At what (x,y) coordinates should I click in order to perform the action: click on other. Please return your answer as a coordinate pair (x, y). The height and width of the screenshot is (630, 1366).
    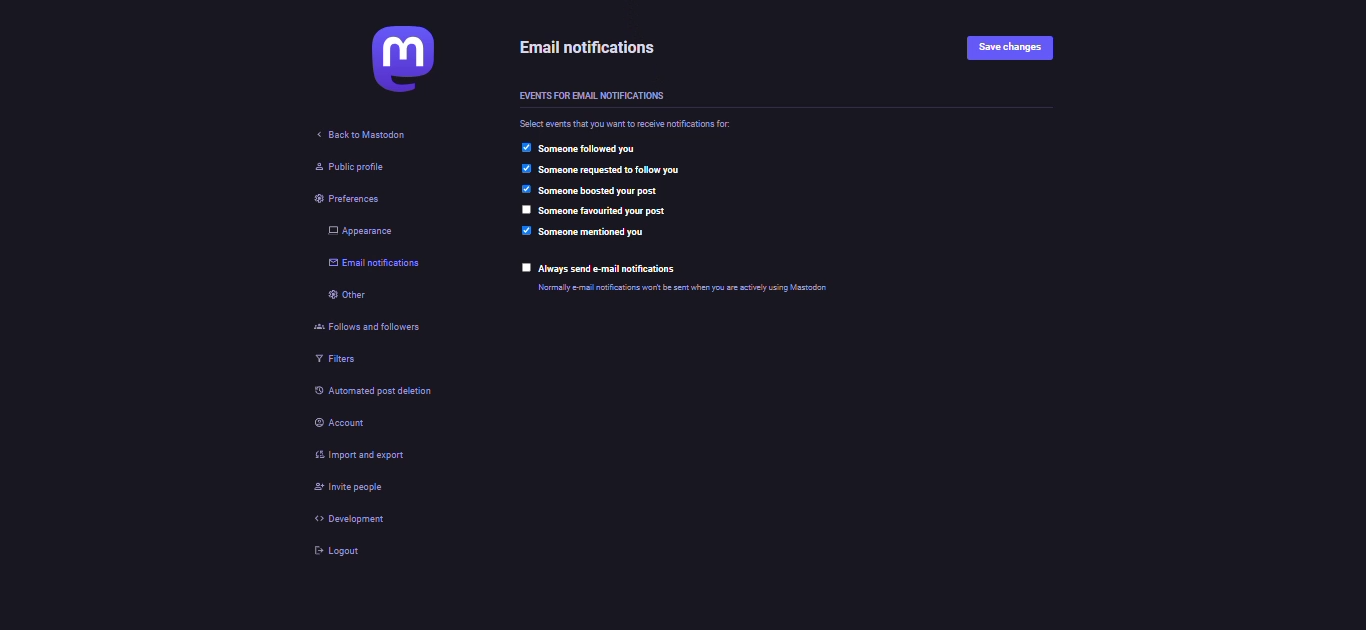
    Looking at the image, I should click on (342, 296).